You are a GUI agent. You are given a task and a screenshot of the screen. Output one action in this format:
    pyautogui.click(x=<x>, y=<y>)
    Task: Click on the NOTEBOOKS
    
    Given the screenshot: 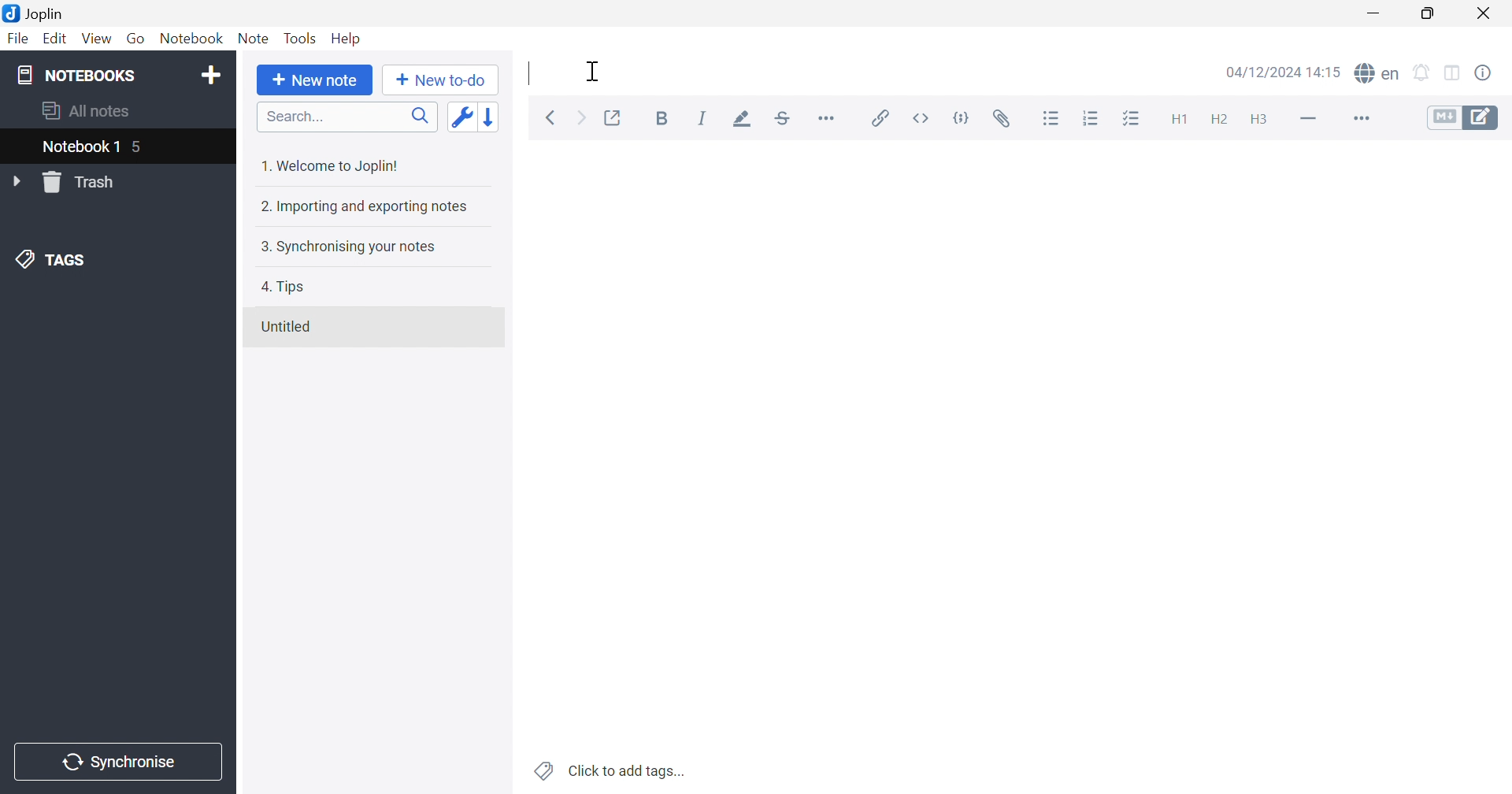 What is the action you would take?
    pyautogui.click(x=75, y=74)
    